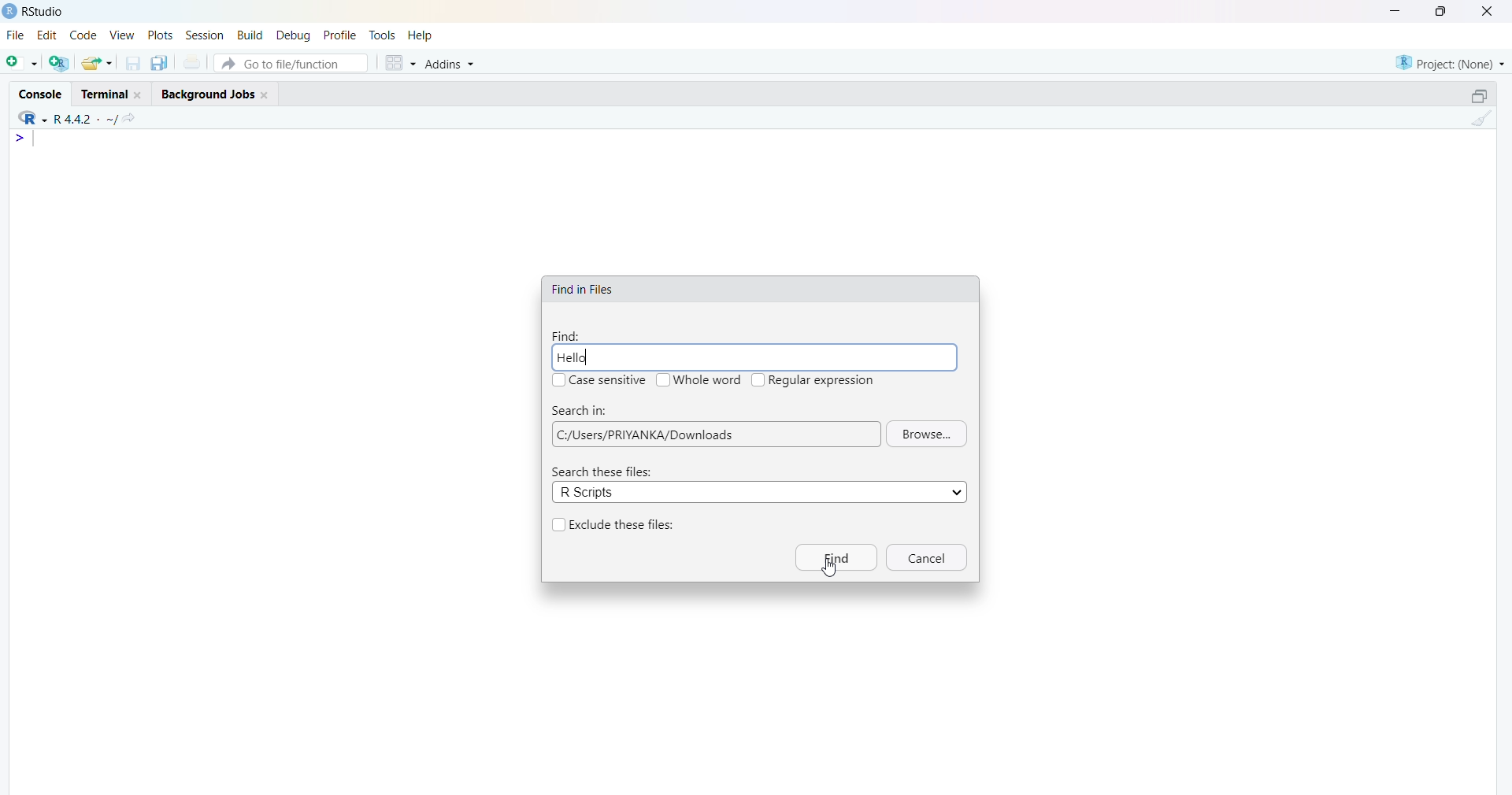 Image resolution: width=1512 pixels, height=795 pixels. What do you see at coordinates (822, 380) in the screenshot?
I see `Regular expression` at bounding box center [822, 380].